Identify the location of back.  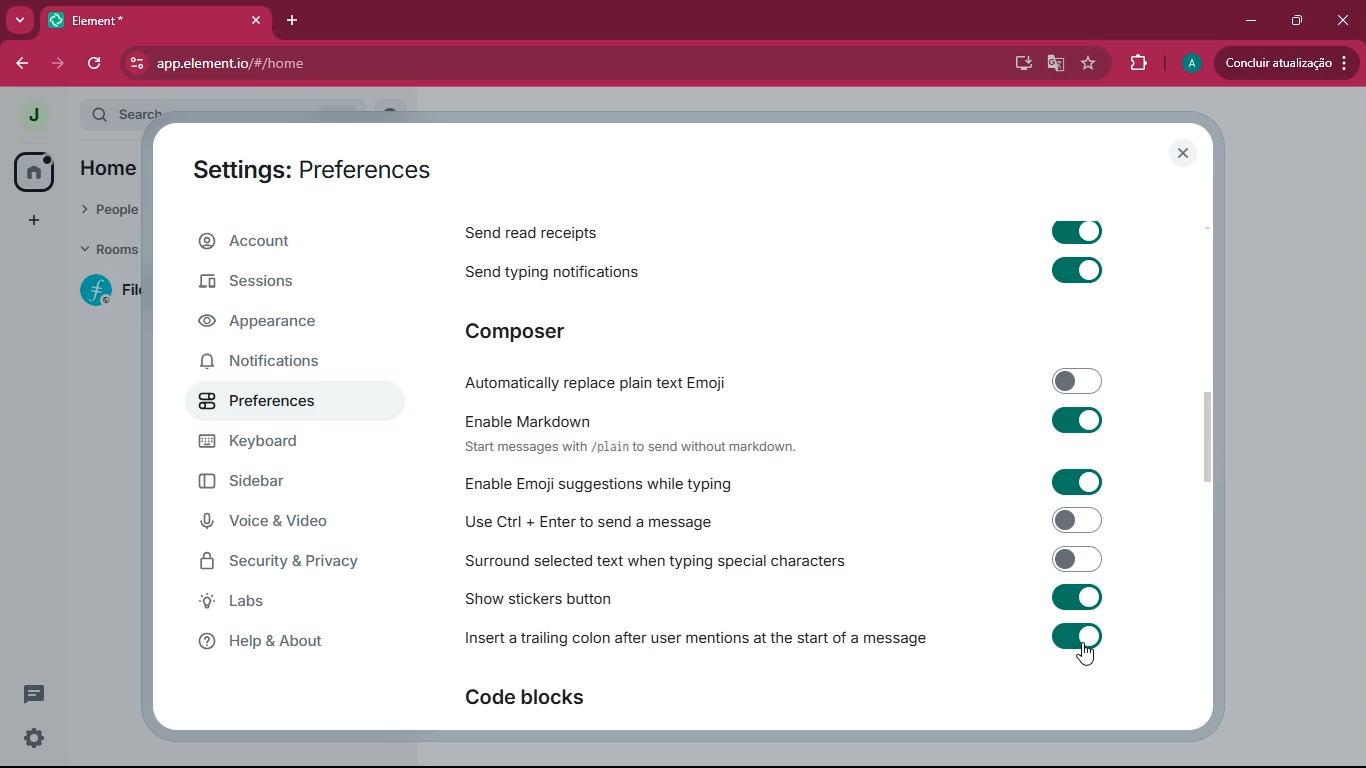
(23, 63).